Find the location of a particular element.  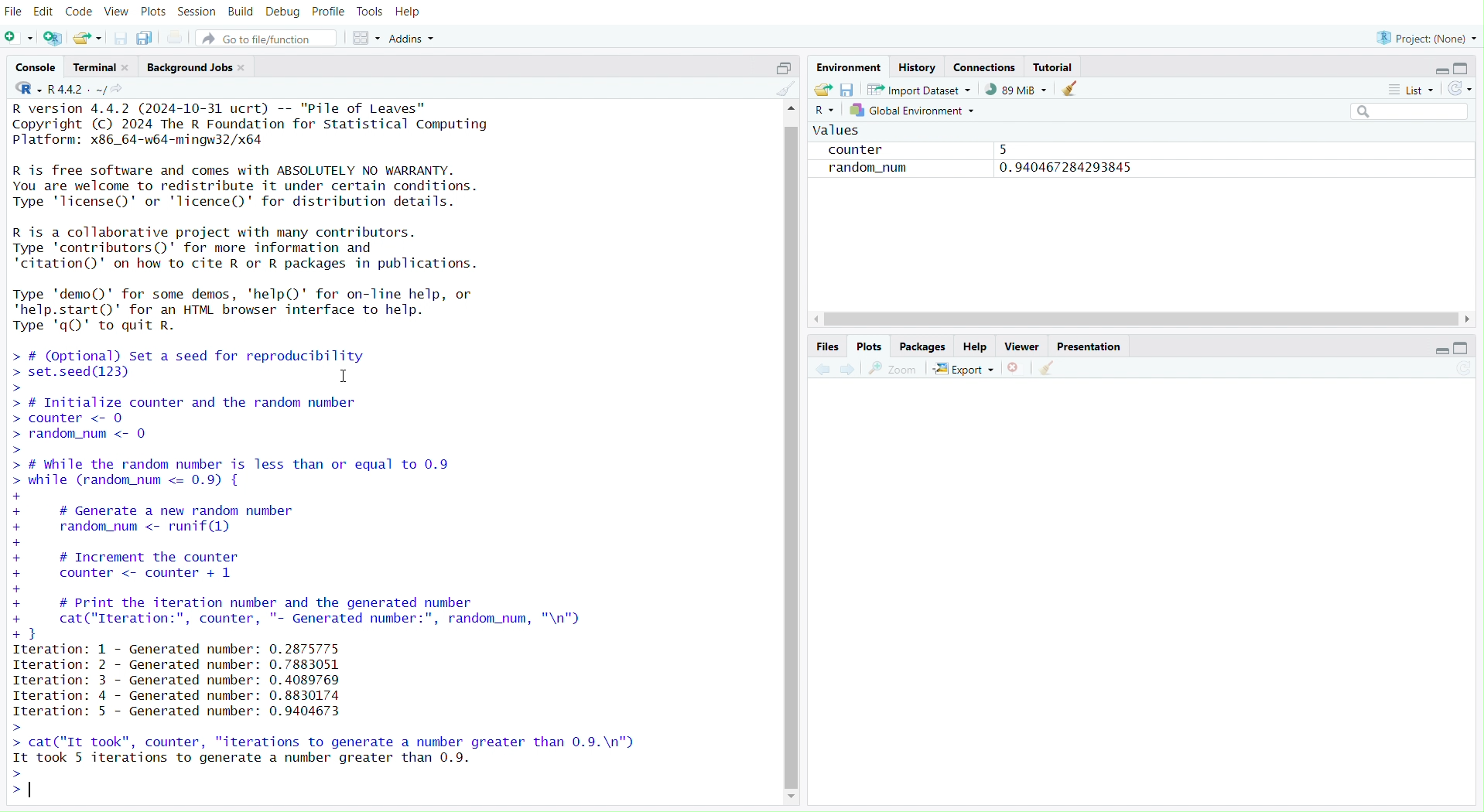

Edit is located at coordinates (45, 12).